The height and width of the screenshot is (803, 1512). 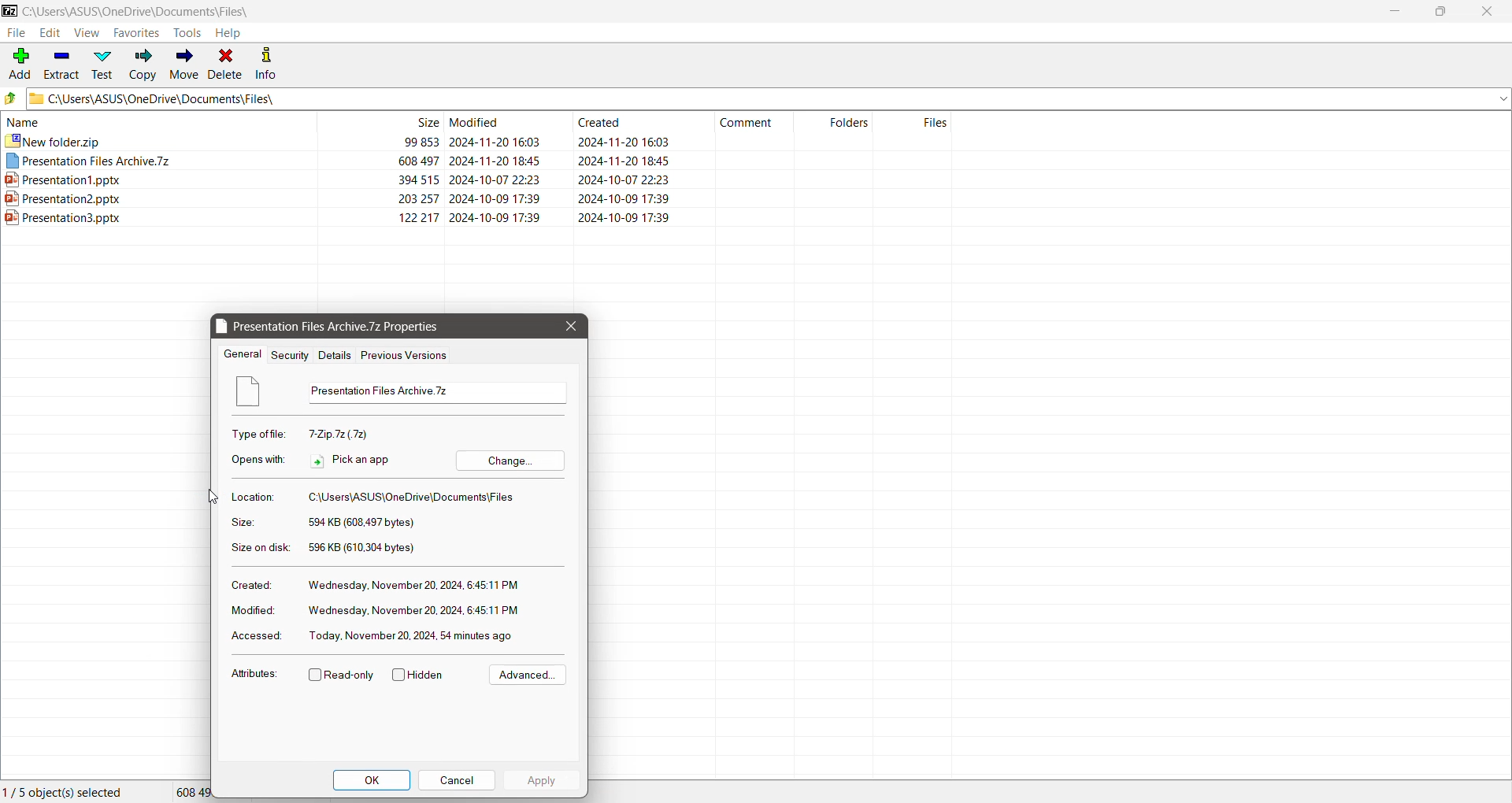 I want to click on Info, so click(x=268, y=65).